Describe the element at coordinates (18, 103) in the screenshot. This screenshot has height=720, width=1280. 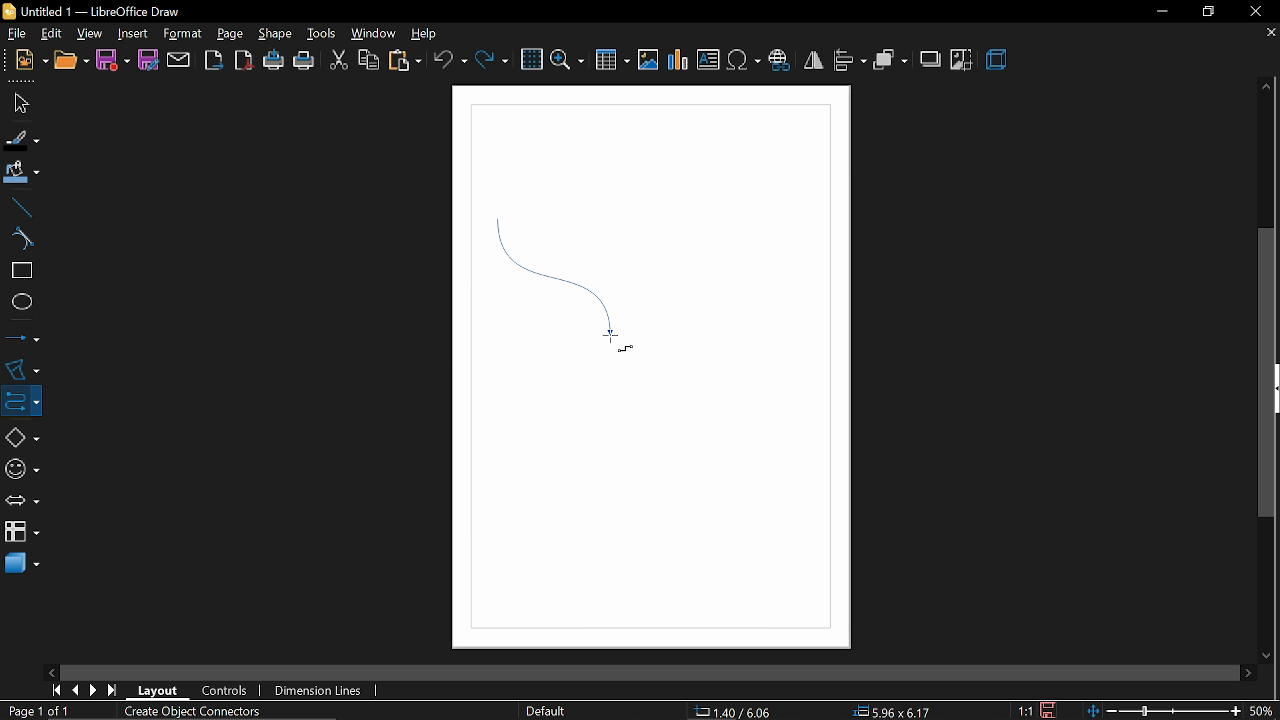
I see `select` at that location.